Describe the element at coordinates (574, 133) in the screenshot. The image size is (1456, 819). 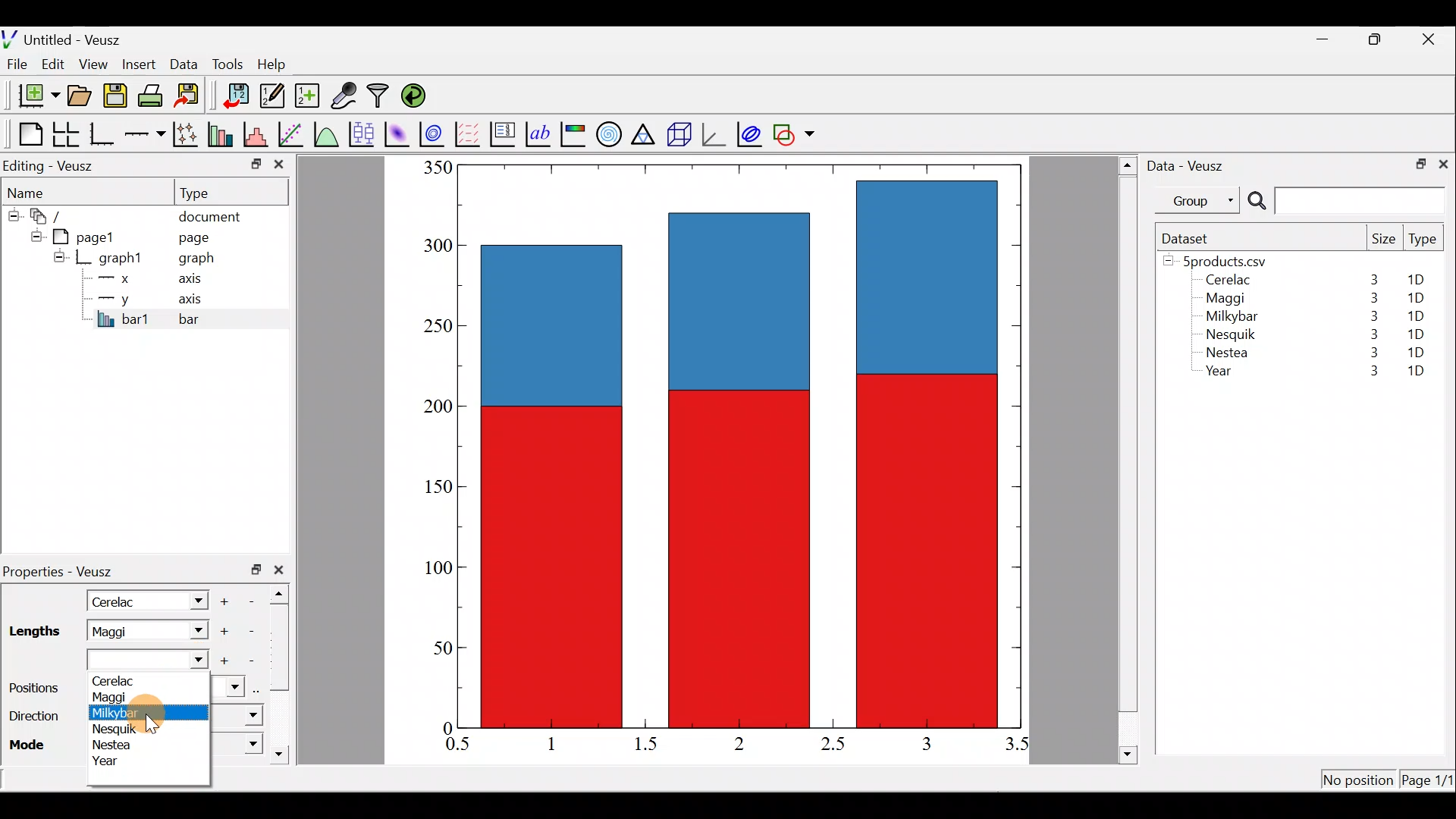
I see `Image color bar` at that location.